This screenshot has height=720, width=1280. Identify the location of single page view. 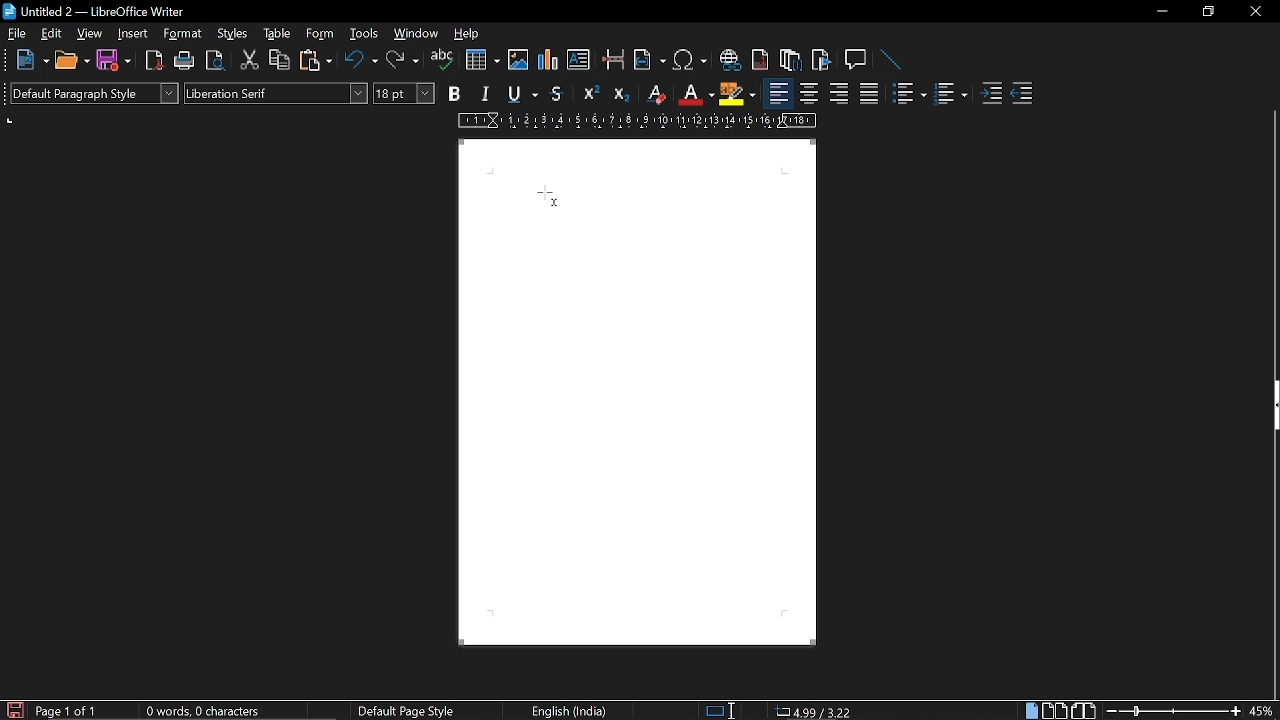
(1030, 711).